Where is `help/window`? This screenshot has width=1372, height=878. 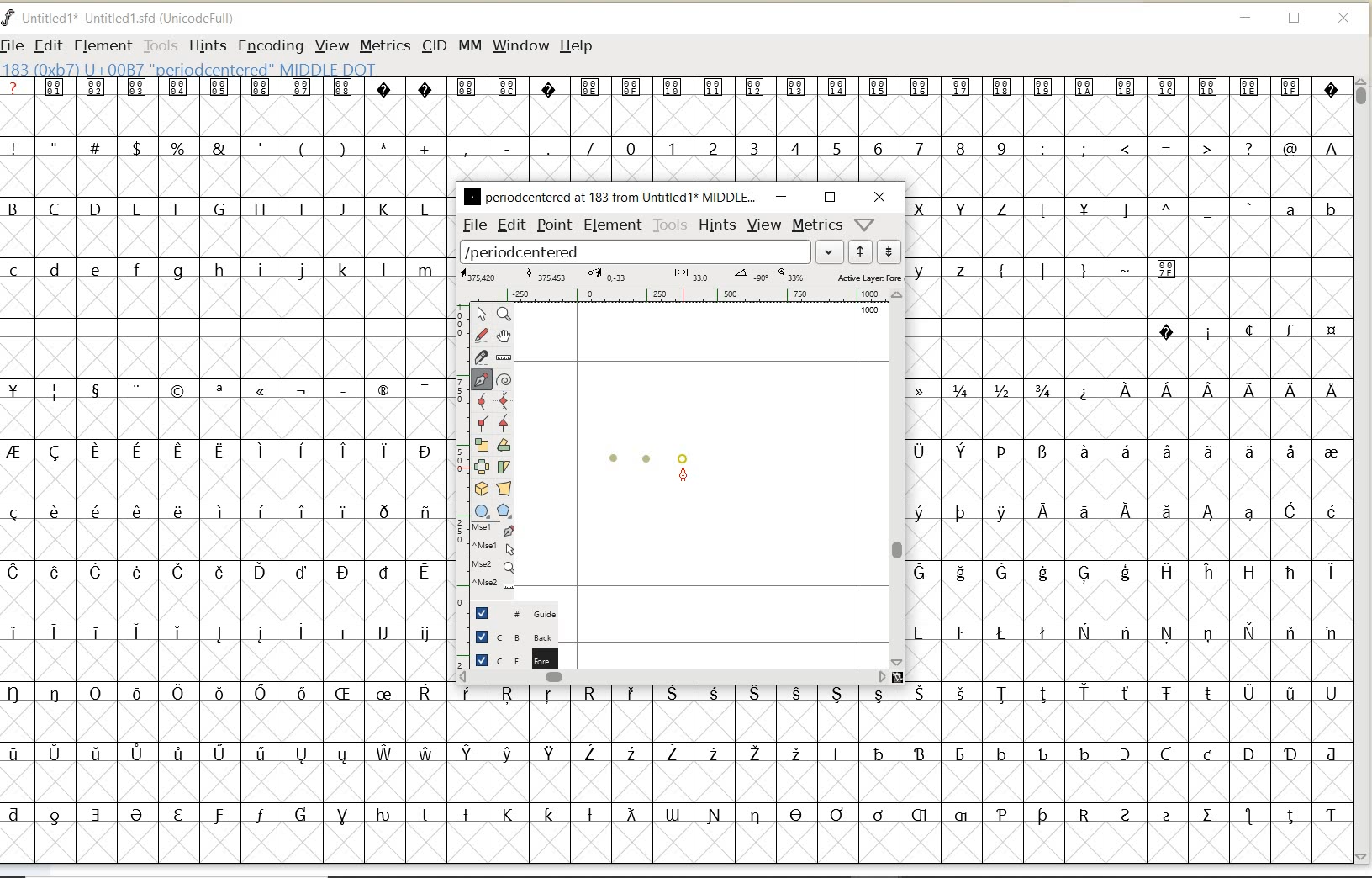 help/window is located at coordinates (863, 225).